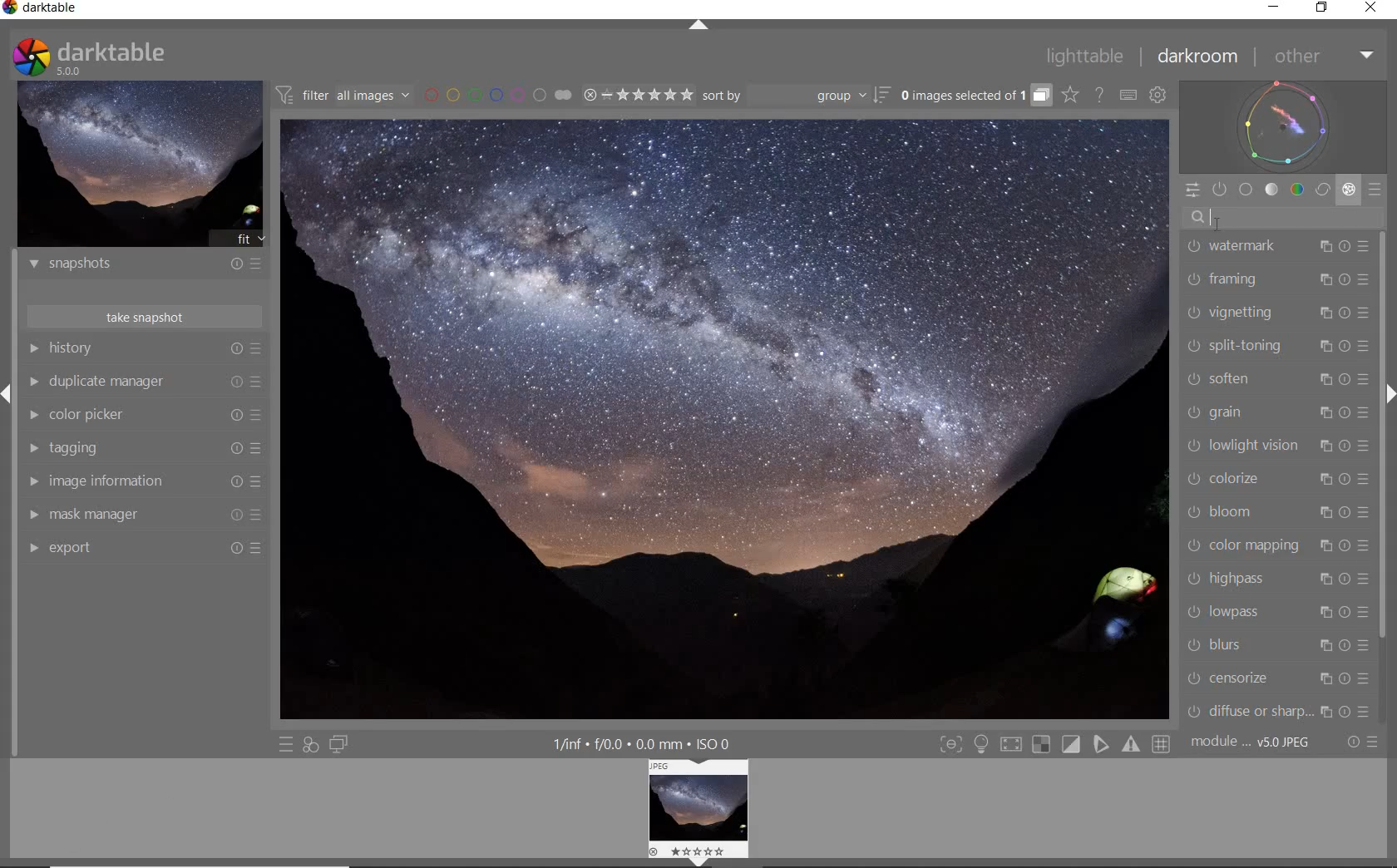 The height and width of the screenshot is (868, 1397). I want to click on toggle ISO 12646 color assessment conditions, so click(985, 745).